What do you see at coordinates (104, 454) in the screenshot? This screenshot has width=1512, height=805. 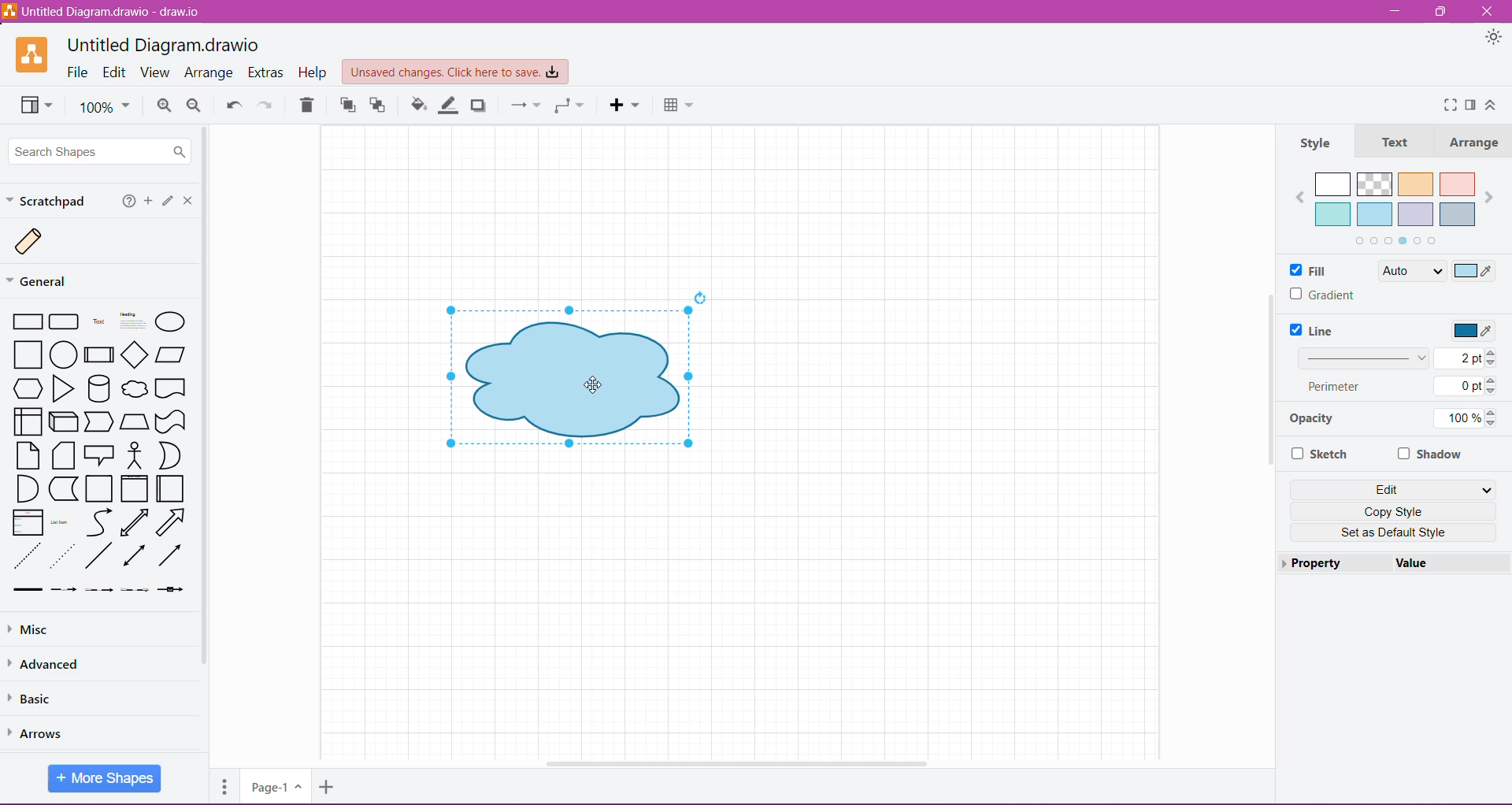 I see `Available Shapes` at bounding box center [104, 454].